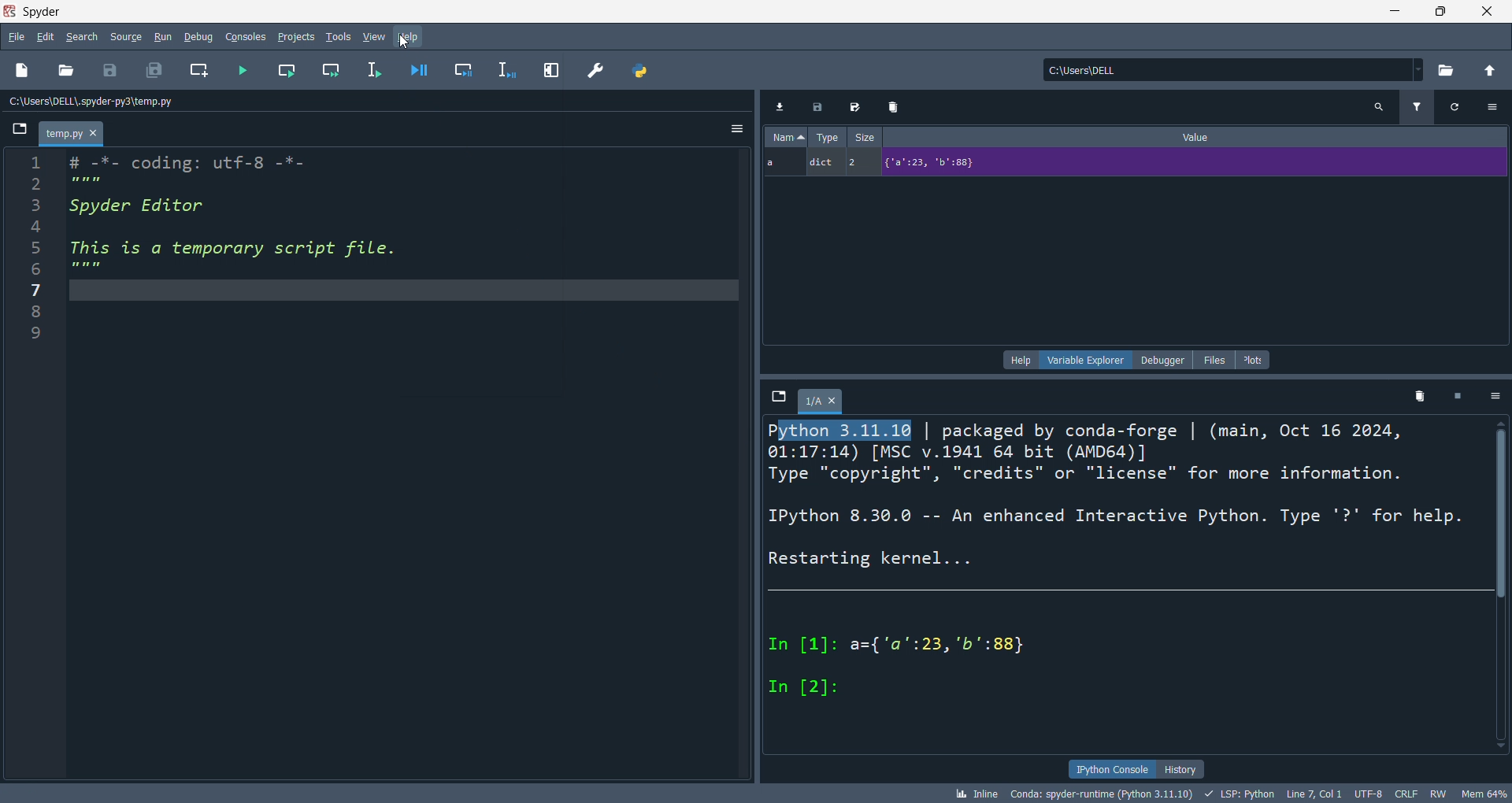 The width and height of the screenshot is (1512, 803). What do you see at coordinates (20, 130) in the screenshot?
I see `File` at bounding box center [20, 130].